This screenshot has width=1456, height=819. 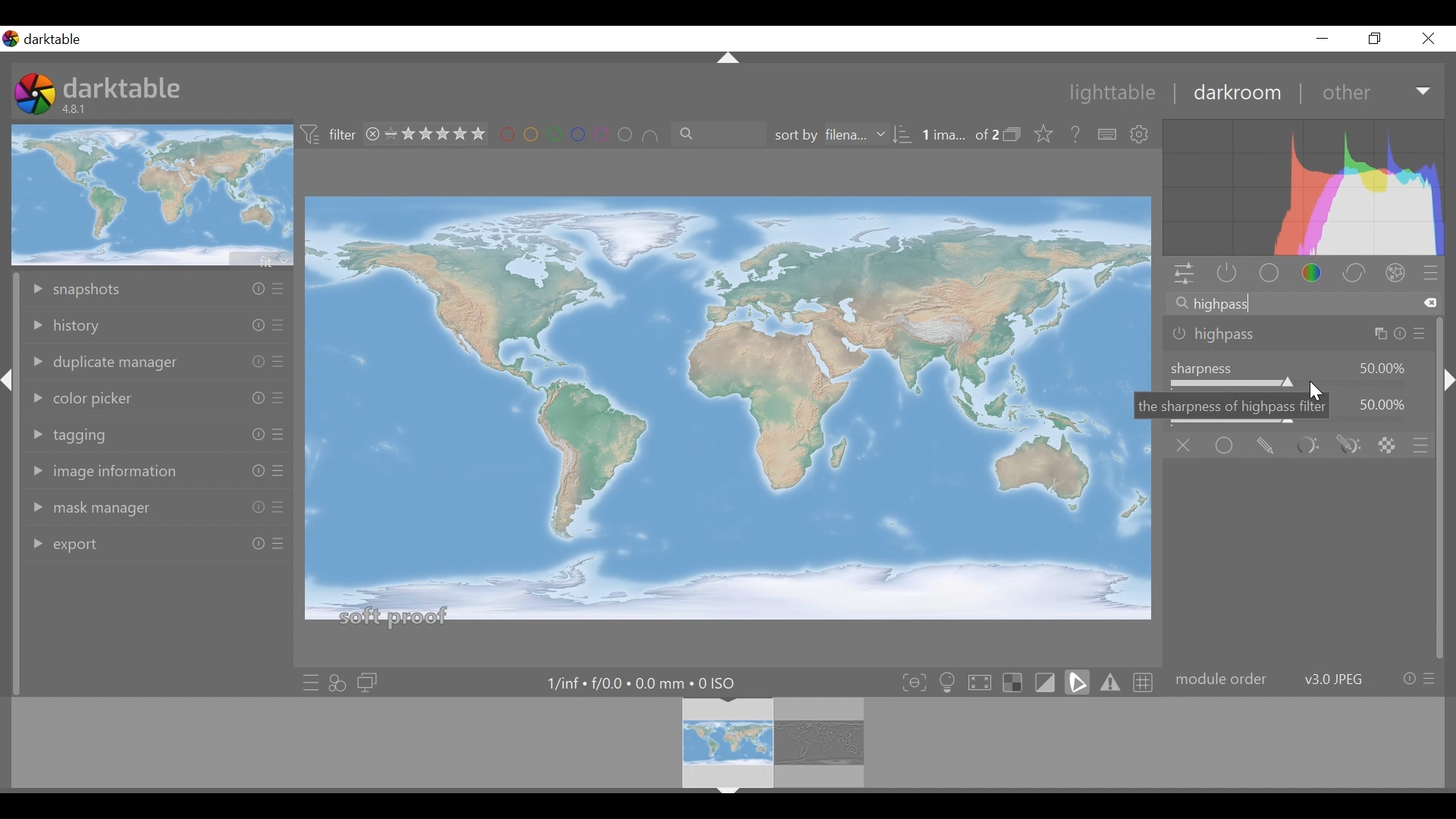 I want to click on image preview, so click(x=149, y=195).